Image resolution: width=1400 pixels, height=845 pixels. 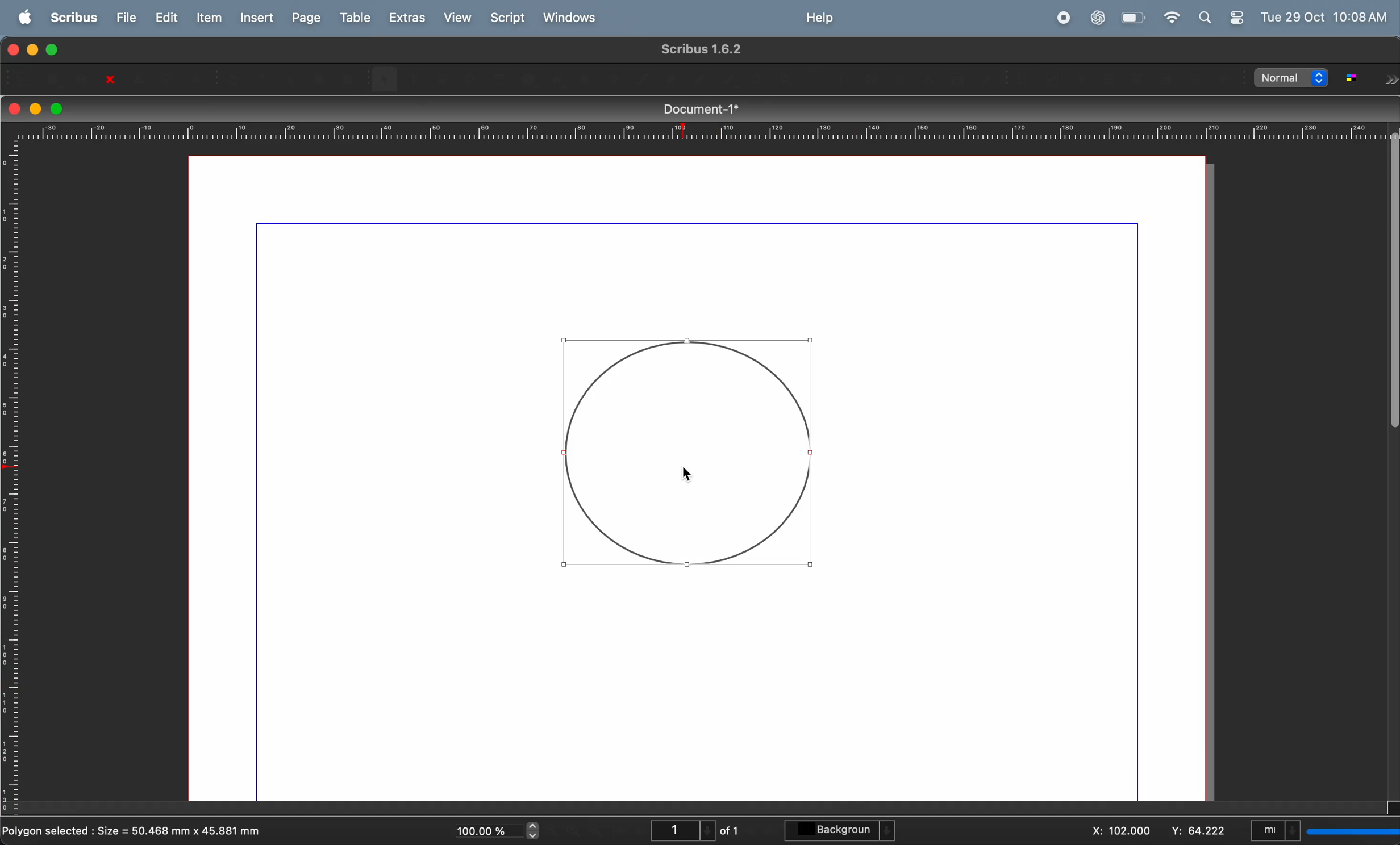 I want to click on scribus, so click(x=70, y=16).